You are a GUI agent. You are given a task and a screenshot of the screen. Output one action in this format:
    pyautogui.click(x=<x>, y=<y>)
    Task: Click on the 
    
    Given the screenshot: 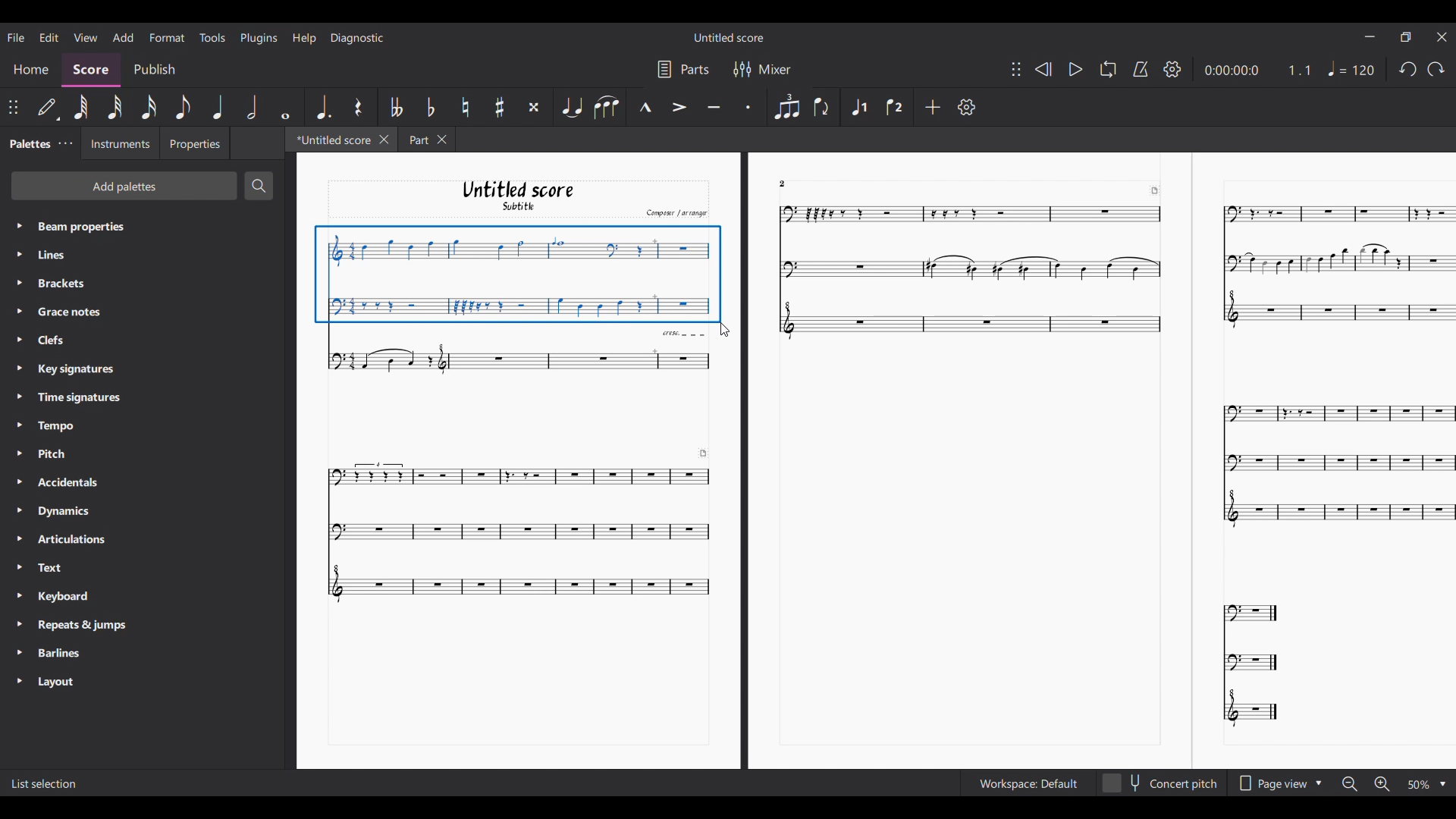 What is the action you would take?
    pyautogui.click(x=18, y=654)
    